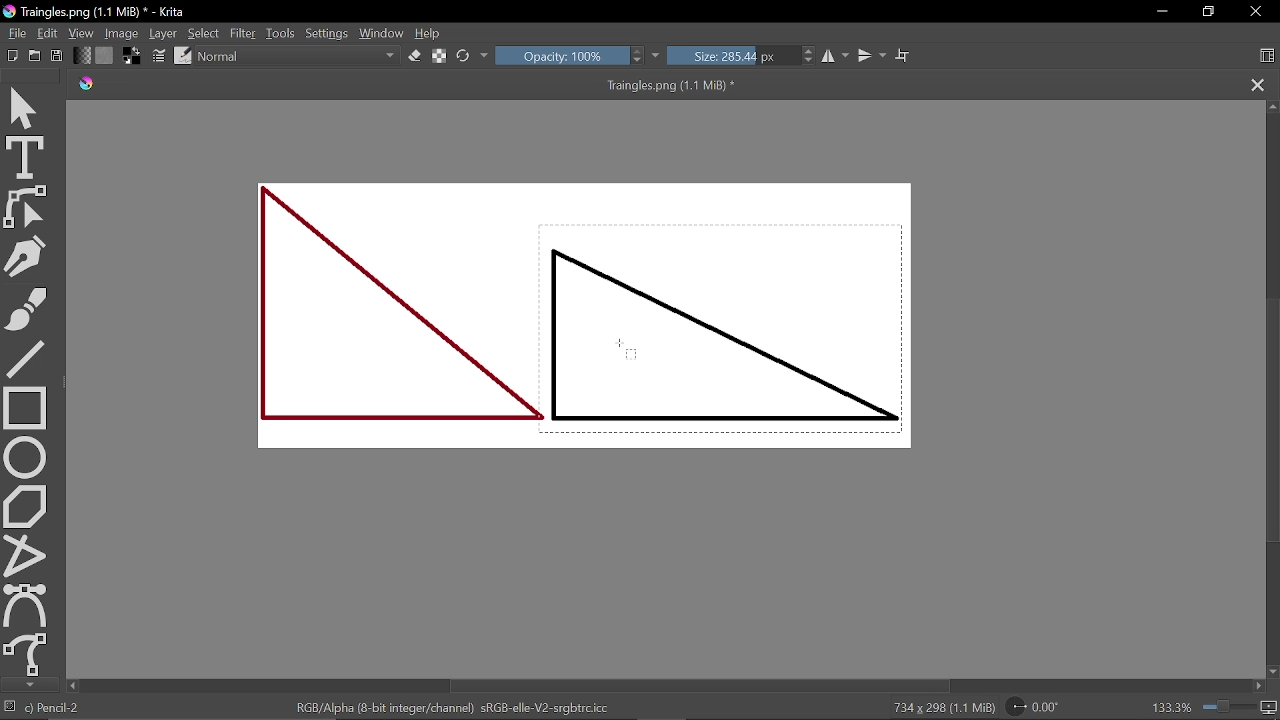 The height and width of the screenshot is (720, 1280). I want to click on RGB/Alpha (8-bit integer/channel) sRGB-elle-V2-srgbtrc.icc, so click(450, 708).